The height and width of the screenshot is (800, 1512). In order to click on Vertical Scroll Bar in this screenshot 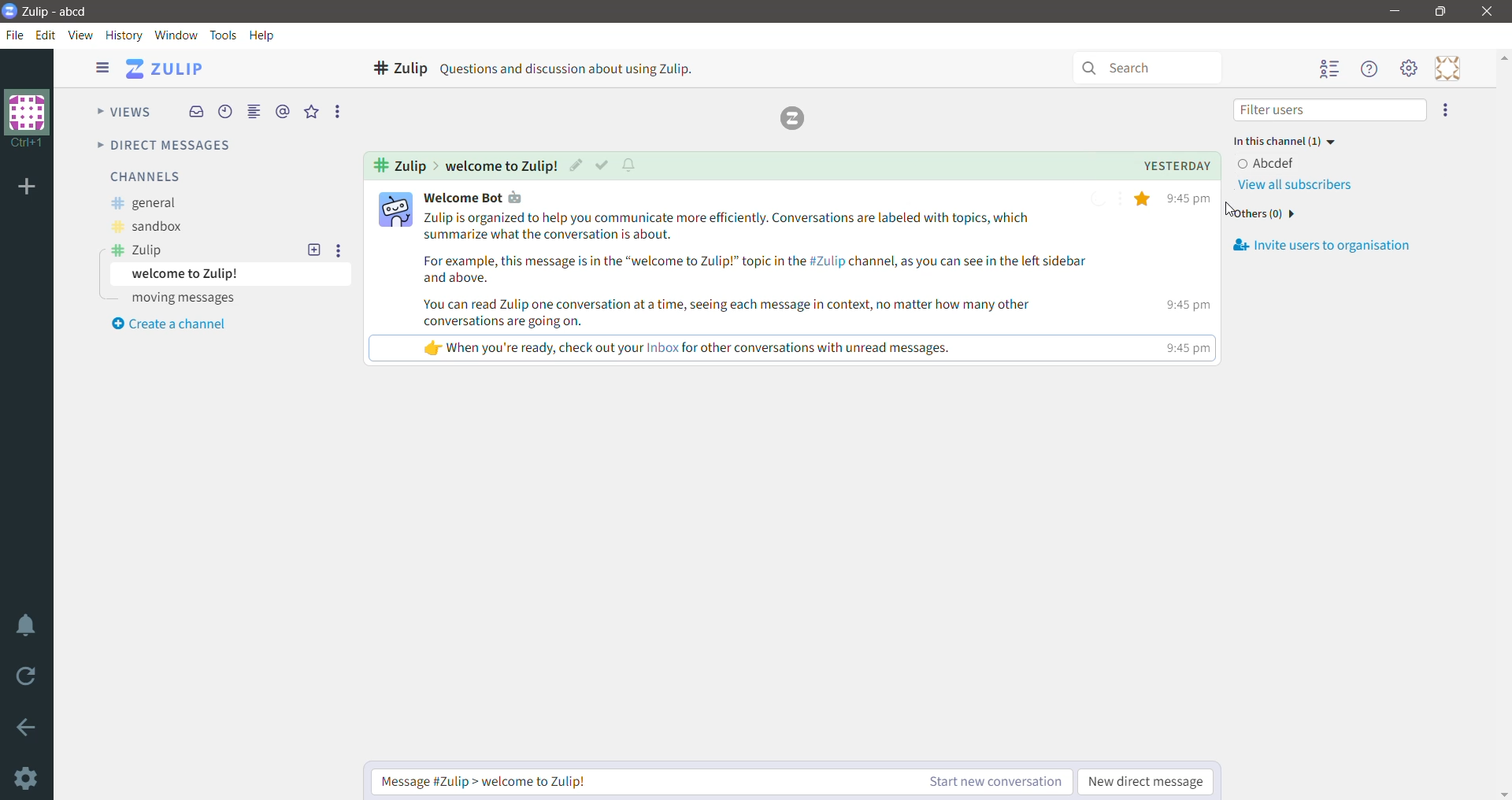, I will do `click(1503, 424)`.